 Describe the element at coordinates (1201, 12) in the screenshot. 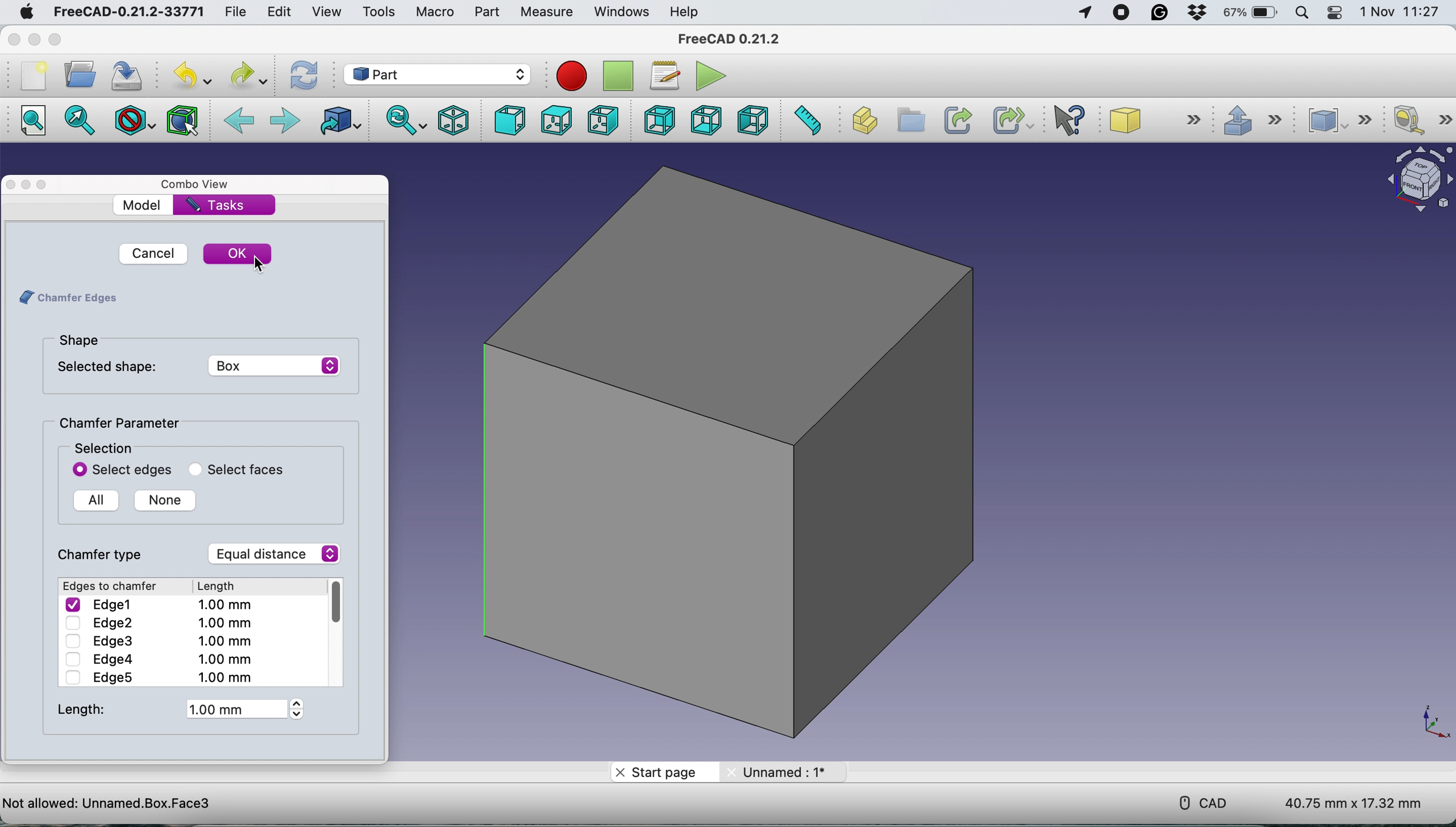

I see `dropbox` at that location.